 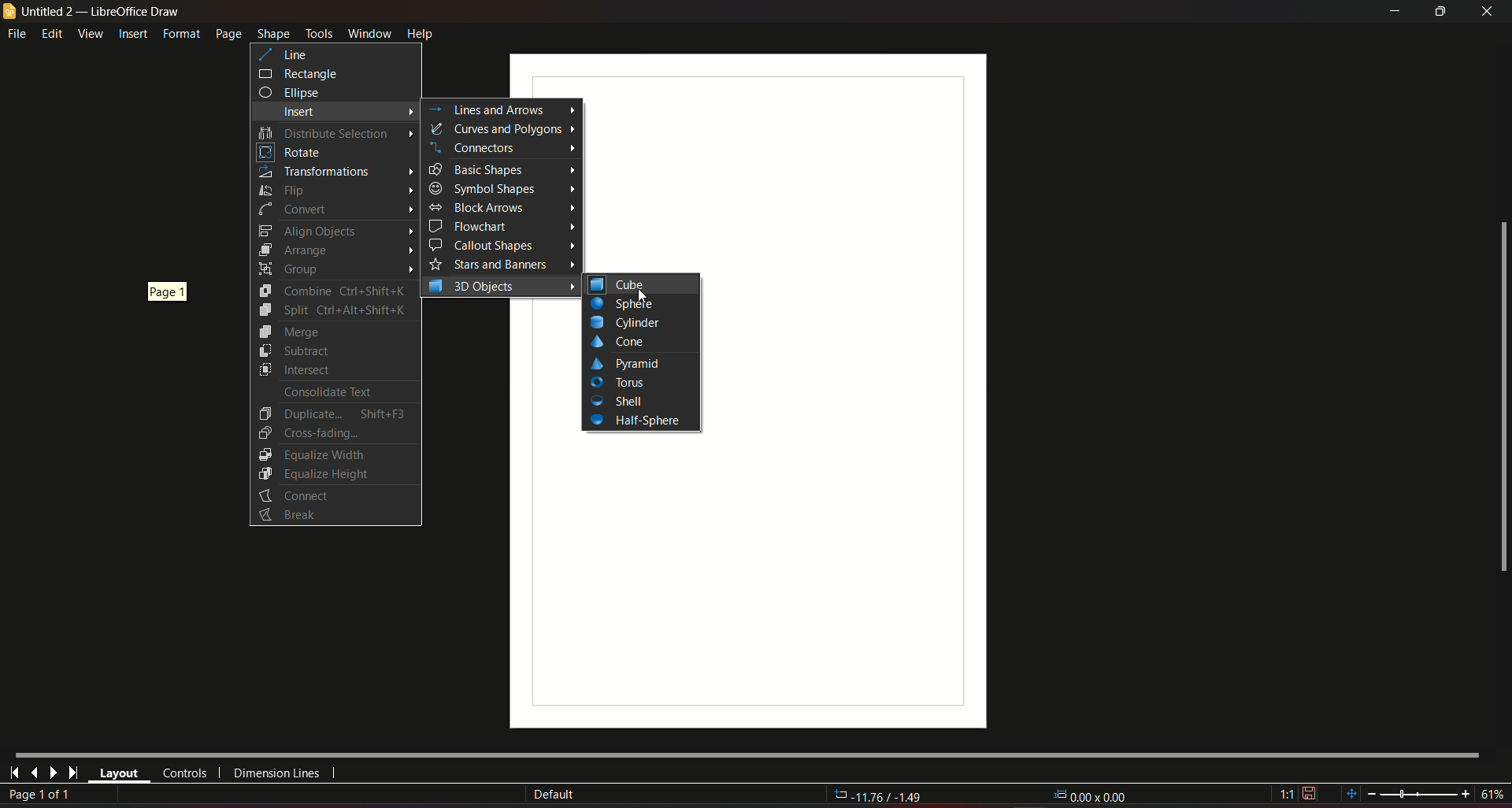 What do you see at coordinates (620, 342) in the screenshot?
I see `Cone` at bounding box center [620, 342].